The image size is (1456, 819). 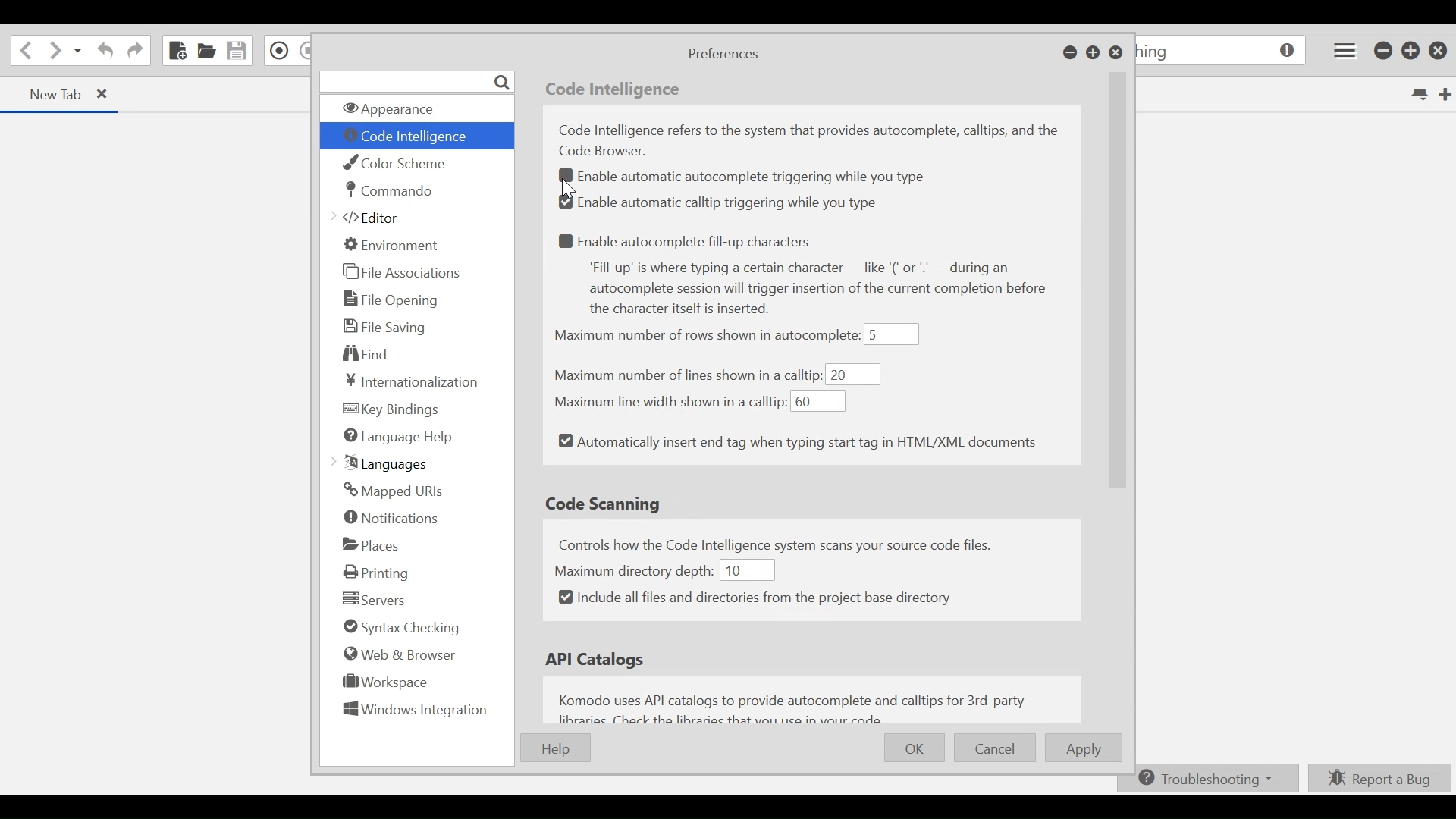 I want to click on Troubleshooting, so click(x=1205, y=779).